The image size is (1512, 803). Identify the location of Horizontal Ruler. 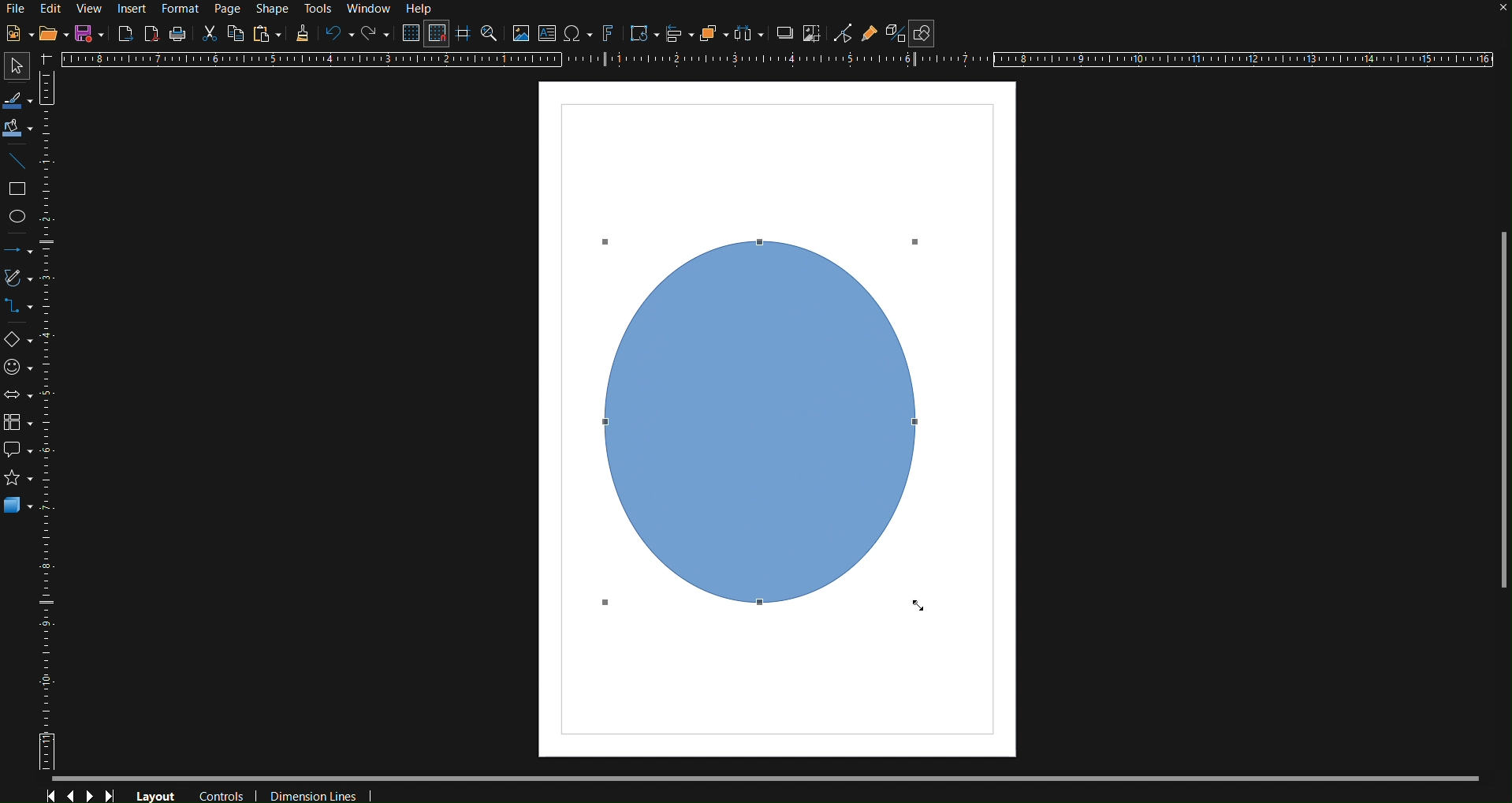
(776, 60).